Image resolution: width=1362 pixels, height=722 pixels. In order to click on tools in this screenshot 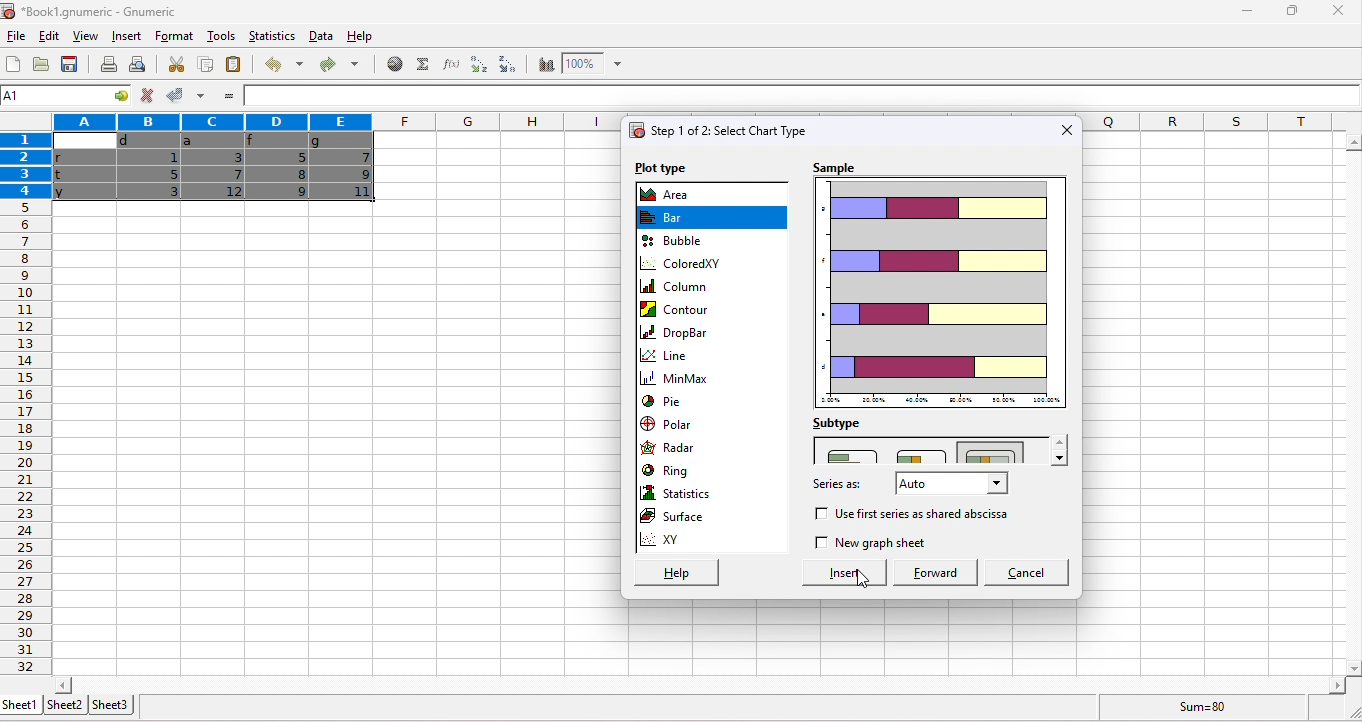, I will do `click(221, 35)`.